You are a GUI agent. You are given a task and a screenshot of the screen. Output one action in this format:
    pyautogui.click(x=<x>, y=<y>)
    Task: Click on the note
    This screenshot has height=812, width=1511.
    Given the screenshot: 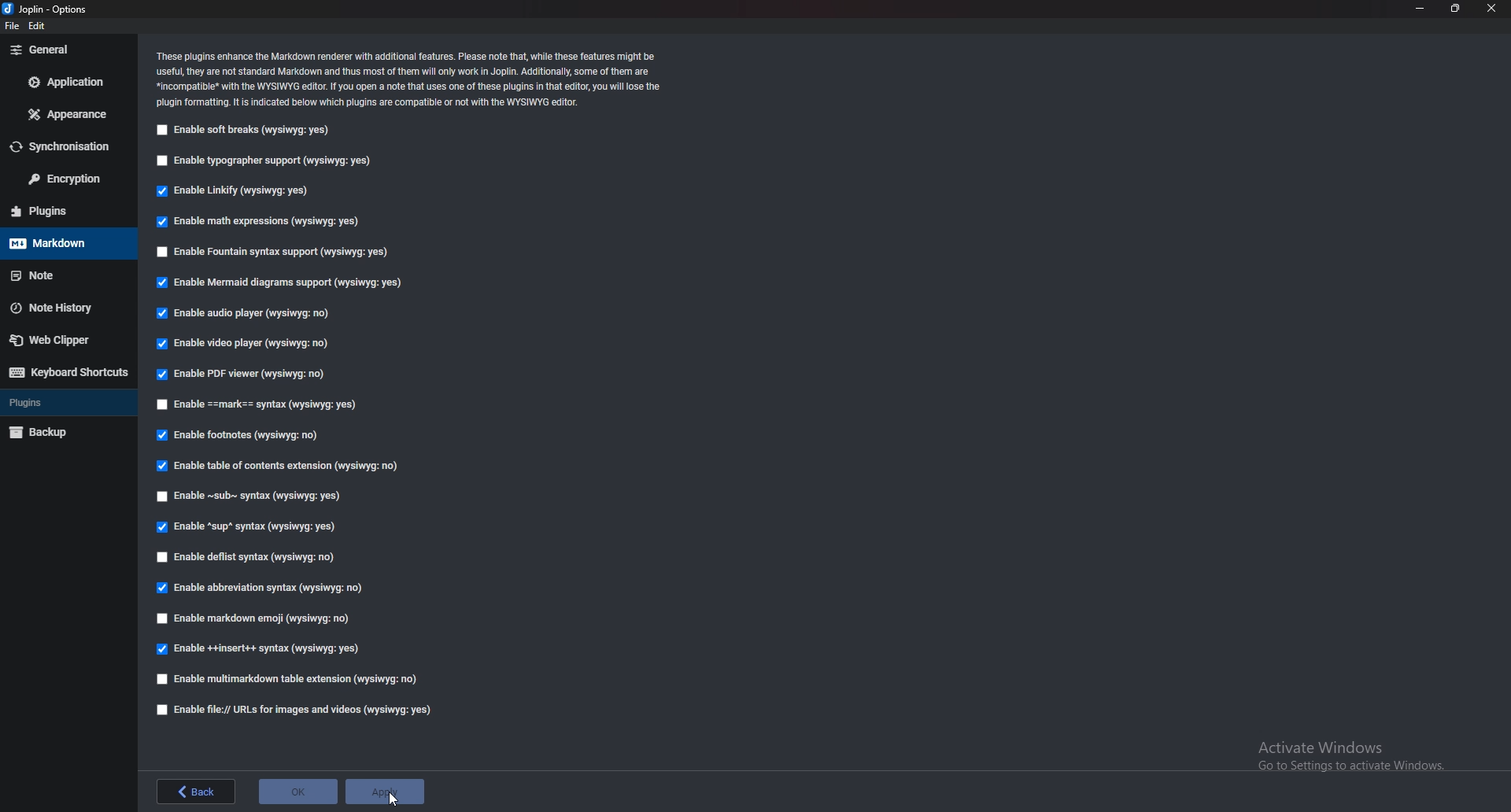 What is the action you would take?
    pyautogui.click(x=65, y=275)
    